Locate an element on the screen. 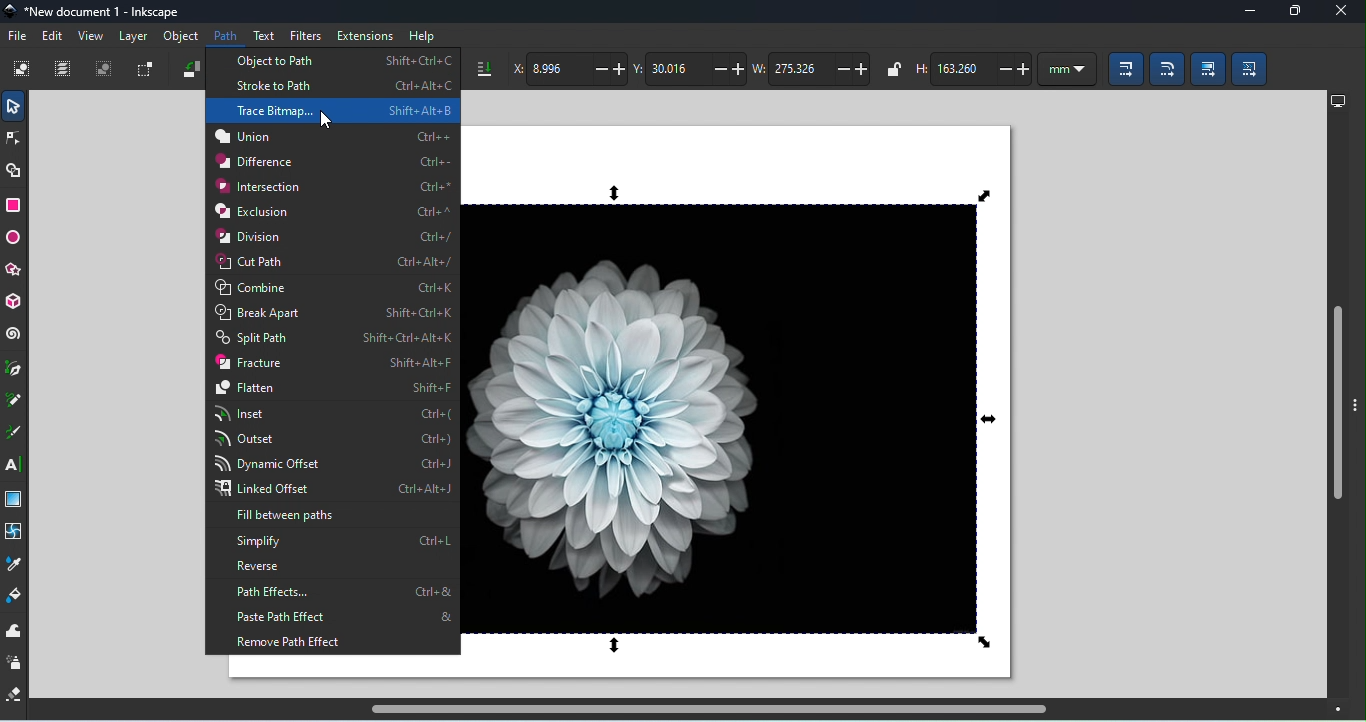  Stroke to path is located at coordinates (335, 87).